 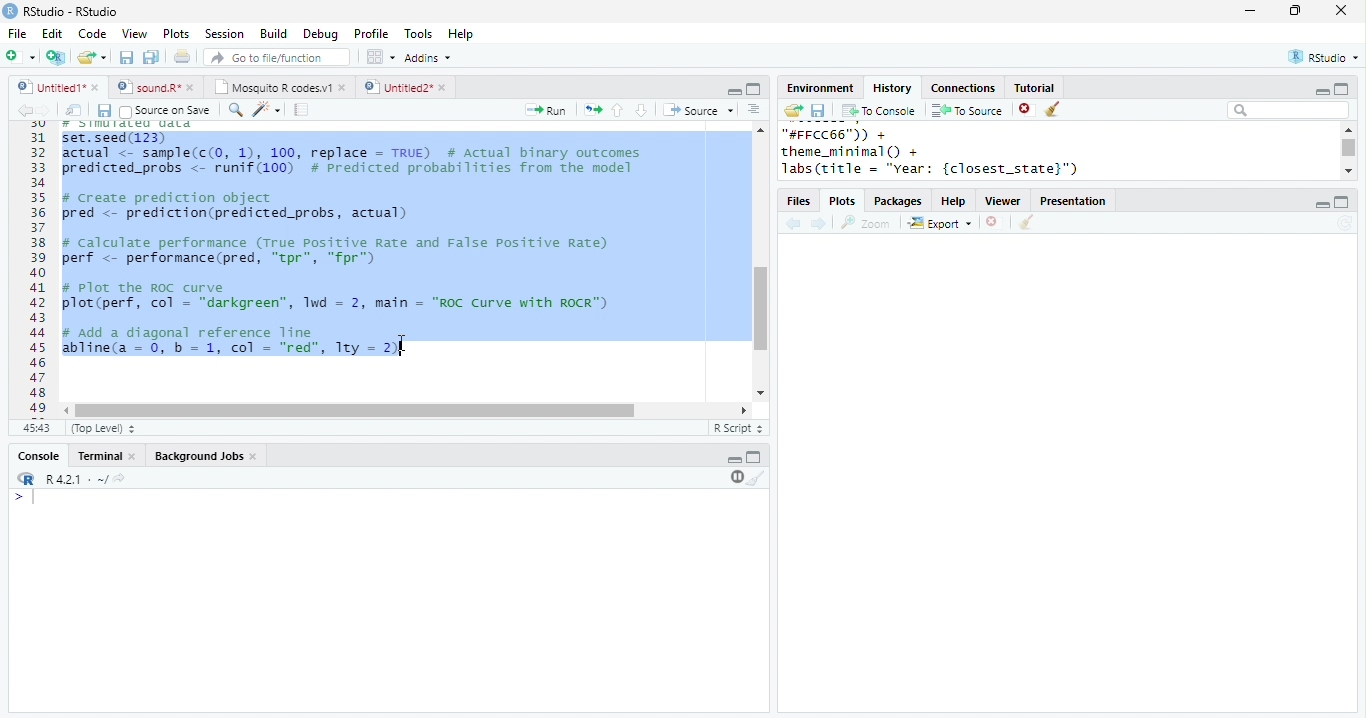 I want to click on close, so click(x=1342, y=10).